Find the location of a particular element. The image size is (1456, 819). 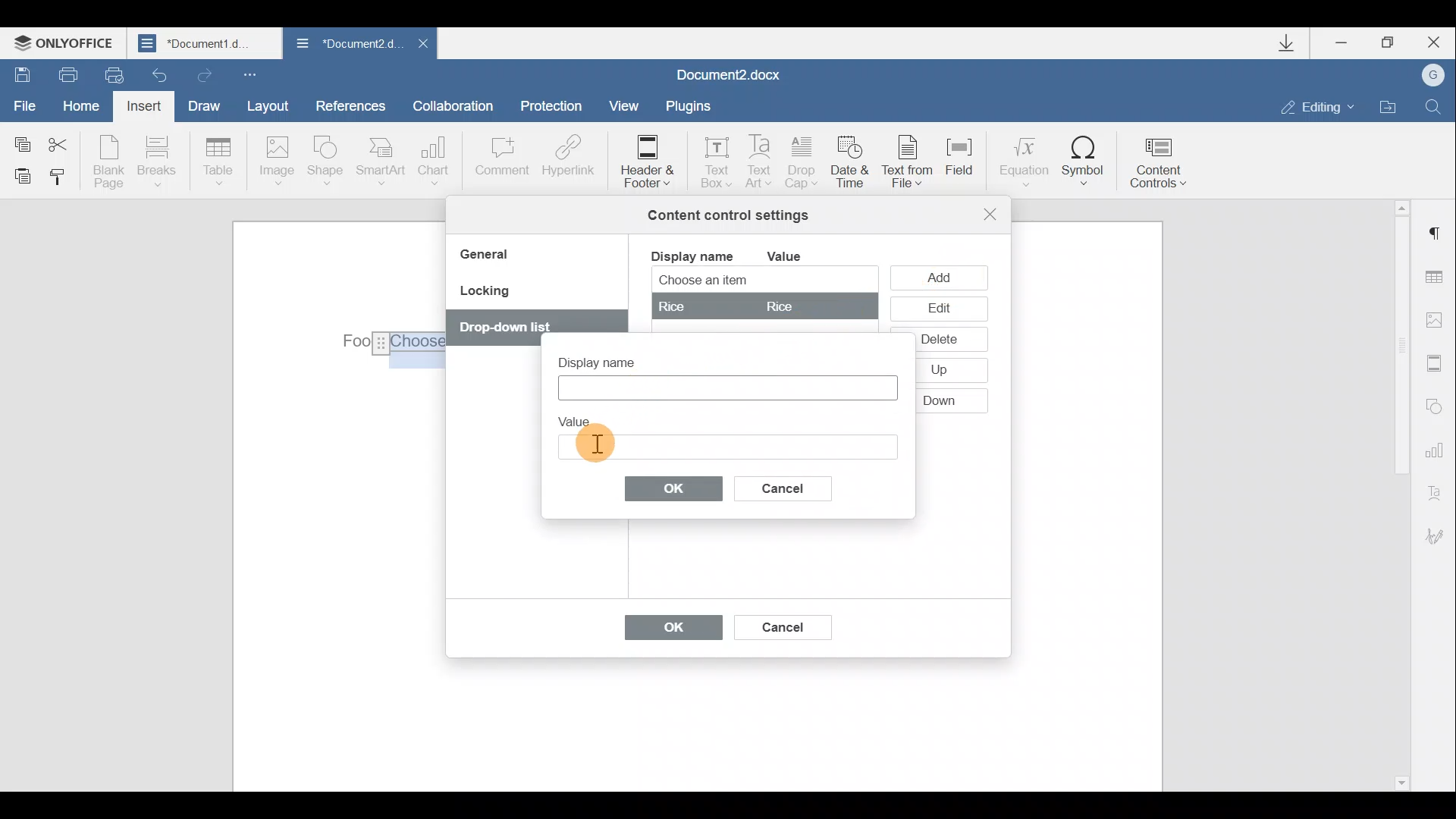

 is located at coordinates (940, 400).